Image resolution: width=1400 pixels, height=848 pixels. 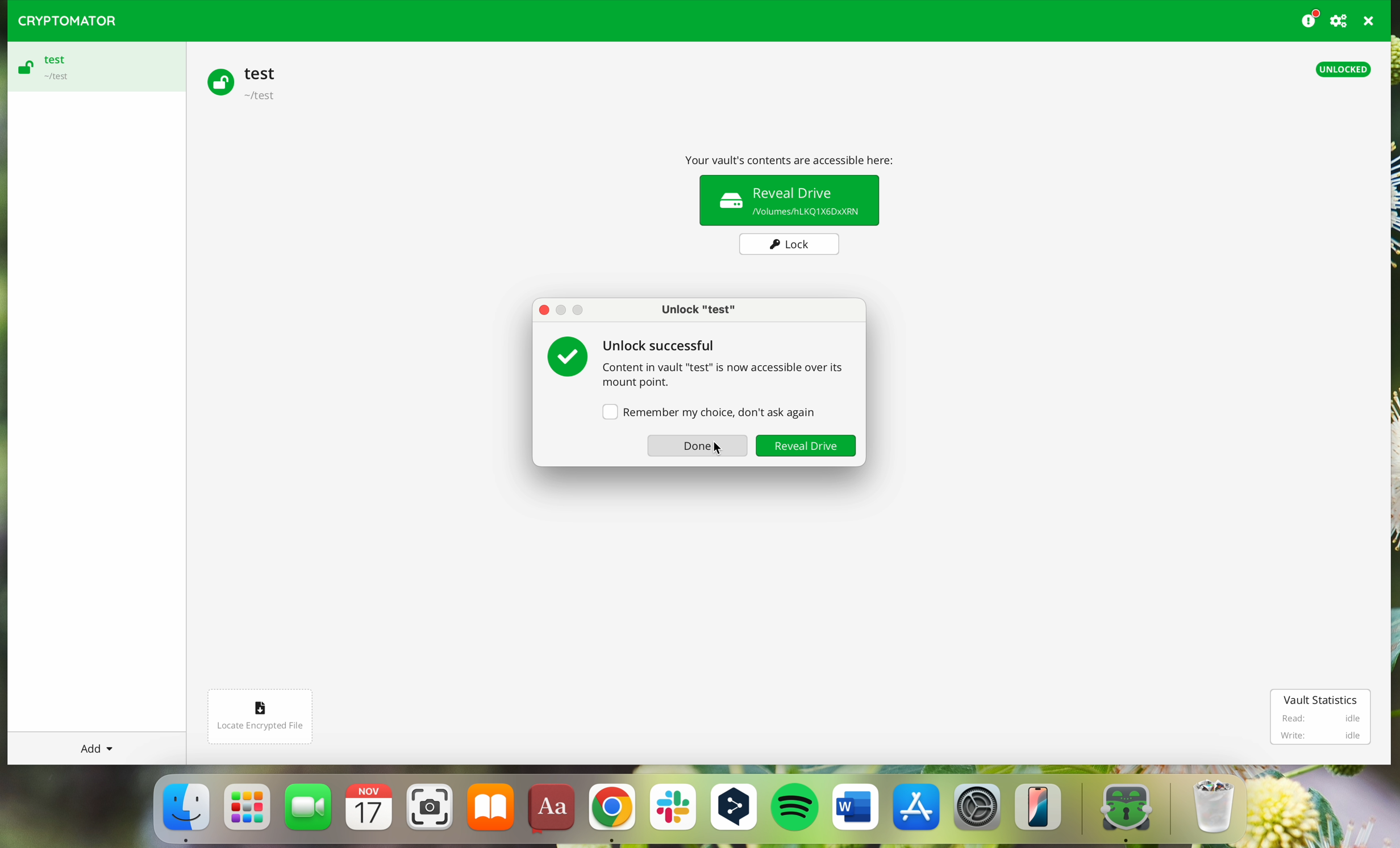 What do you see at coordinates (93, 67) in the screenshot?
I see `test vault` at bounding box center [93, 67].